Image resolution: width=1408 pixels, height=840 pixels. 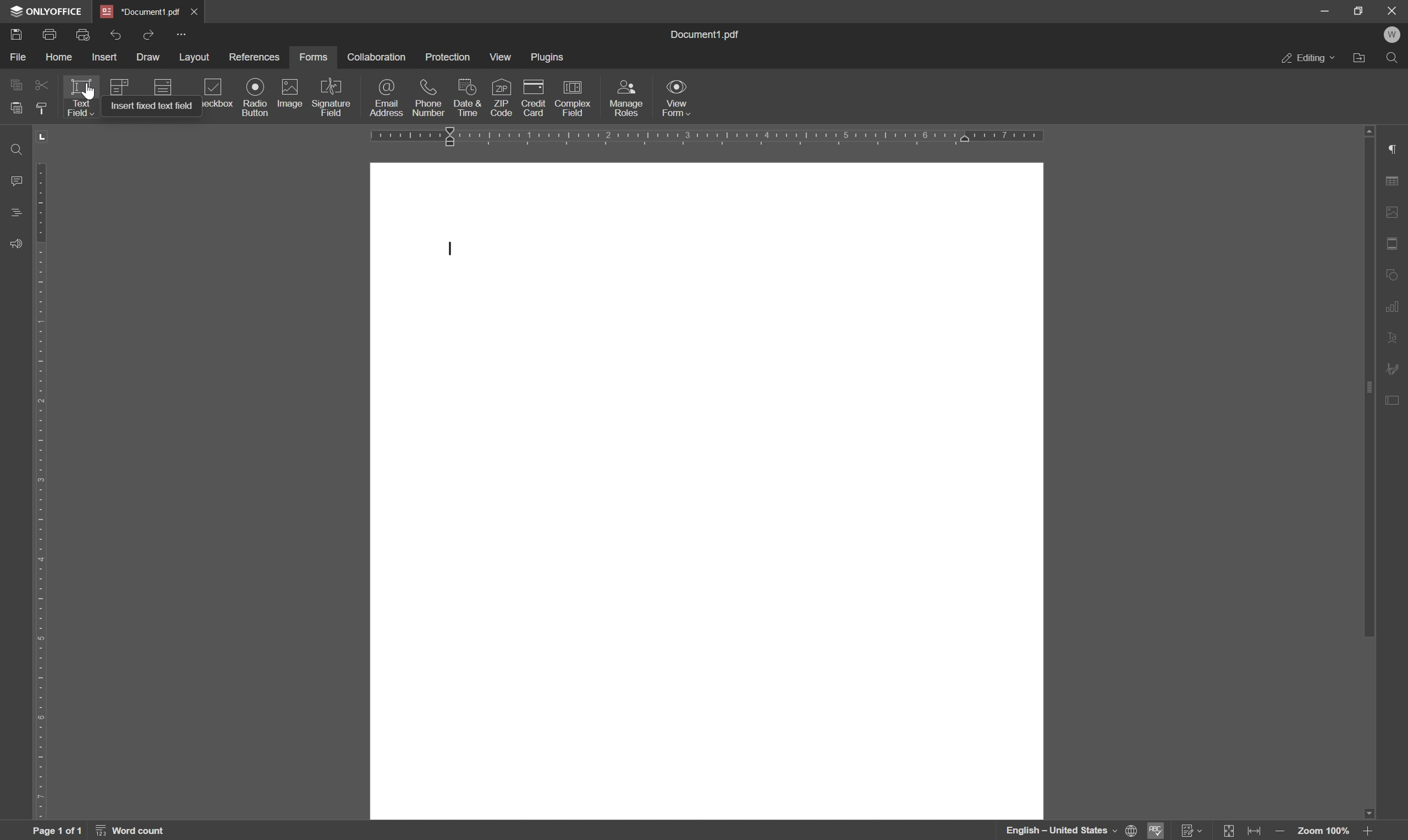 I want to click on Quick Access Toolbar, so click(x=181, y=34).